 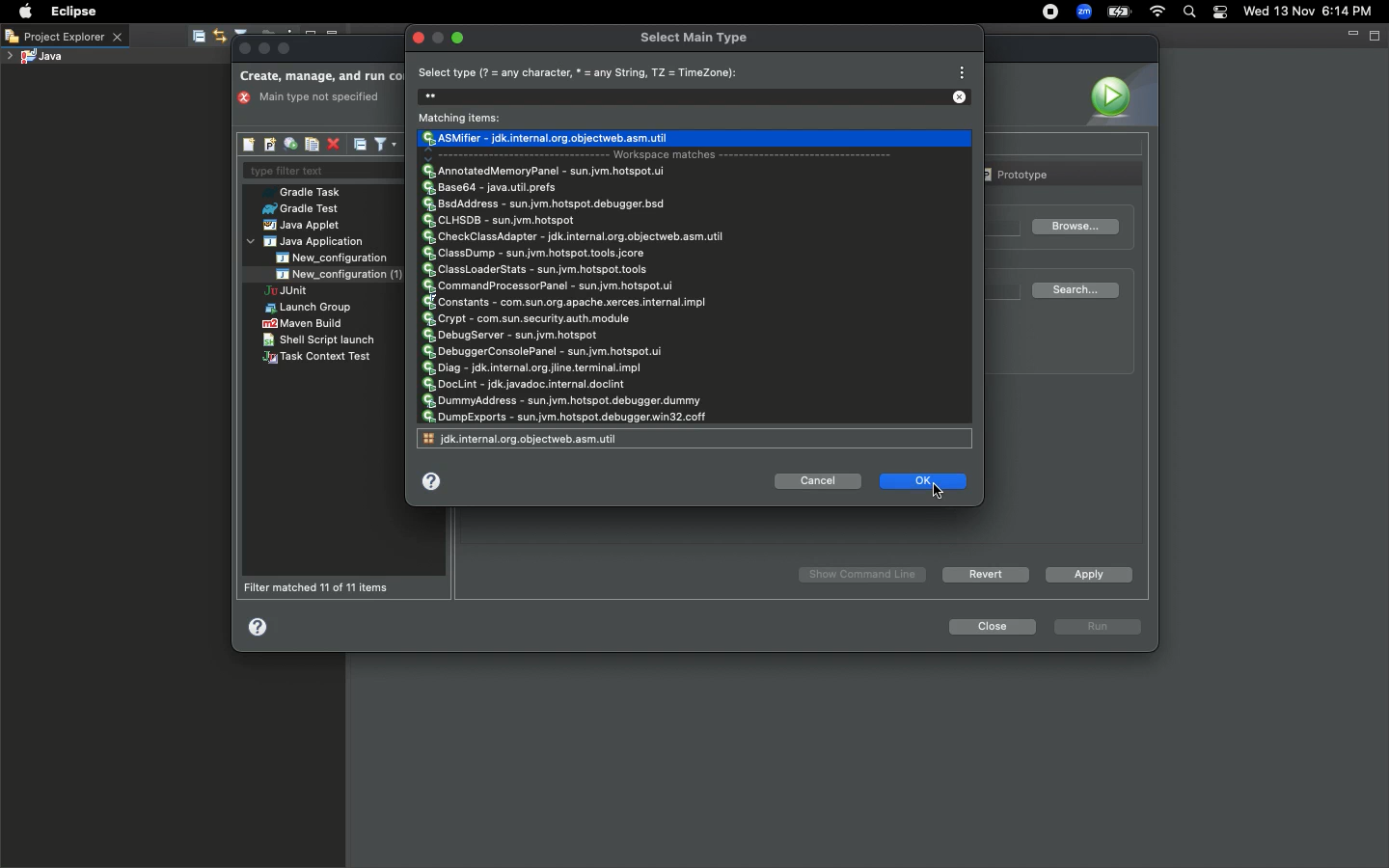 I want to click on cursor, so click(x=938, y=493).